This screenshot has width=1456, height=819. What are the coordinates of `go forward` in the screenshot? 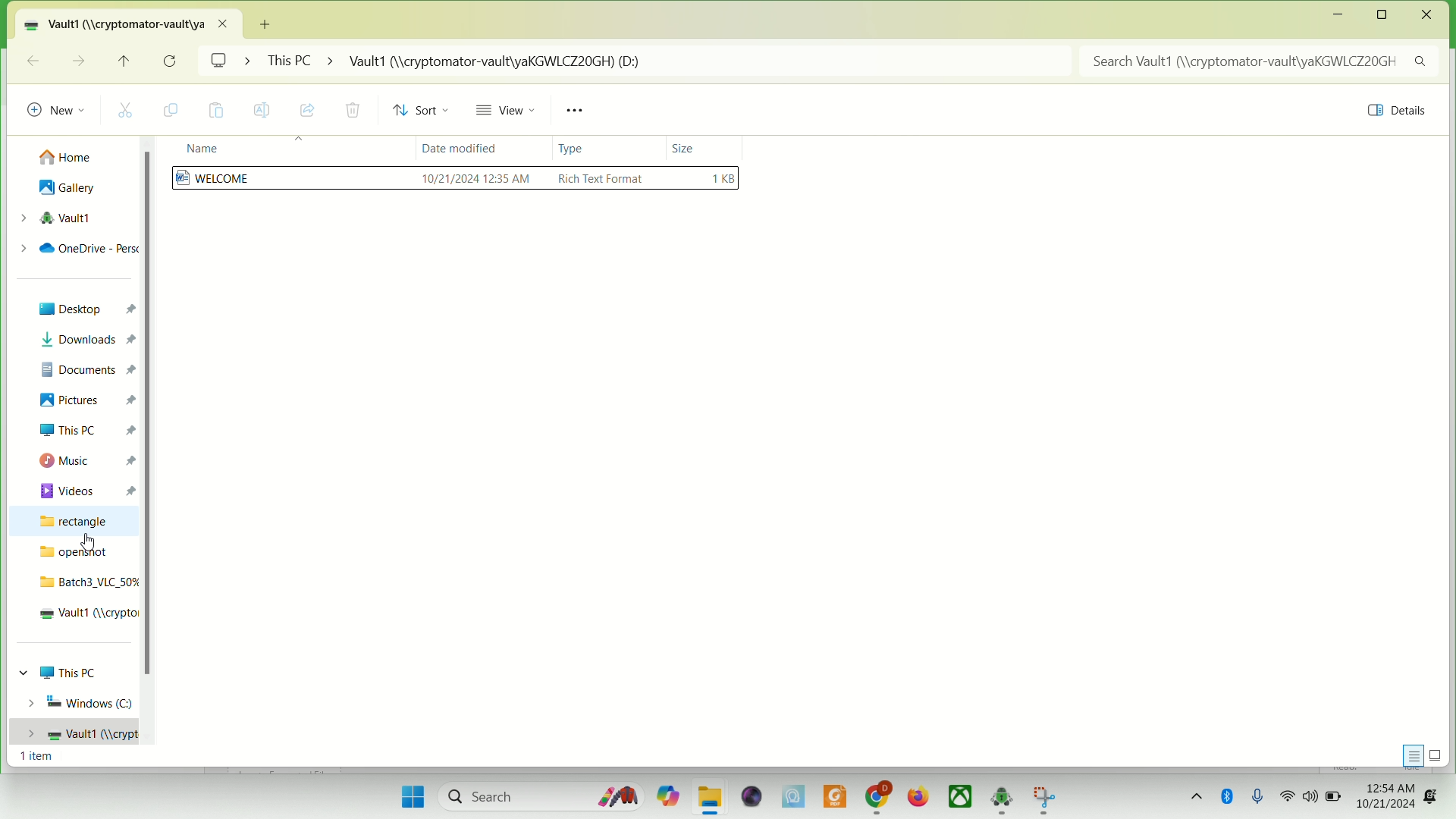 It's located at (77, 60).